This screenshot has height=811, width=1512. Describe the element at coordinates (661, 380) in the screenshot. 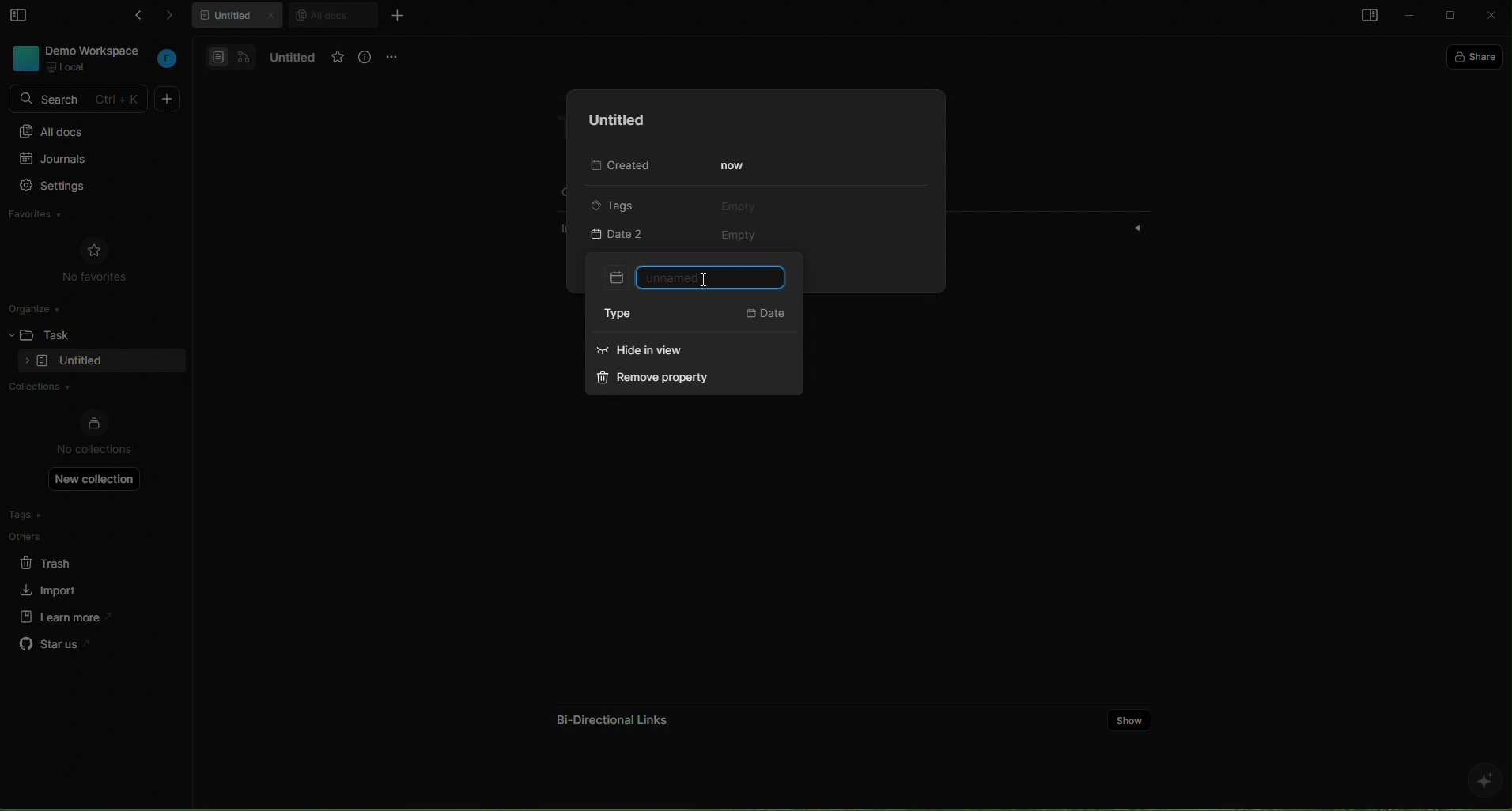

I see `remove property` at that location.